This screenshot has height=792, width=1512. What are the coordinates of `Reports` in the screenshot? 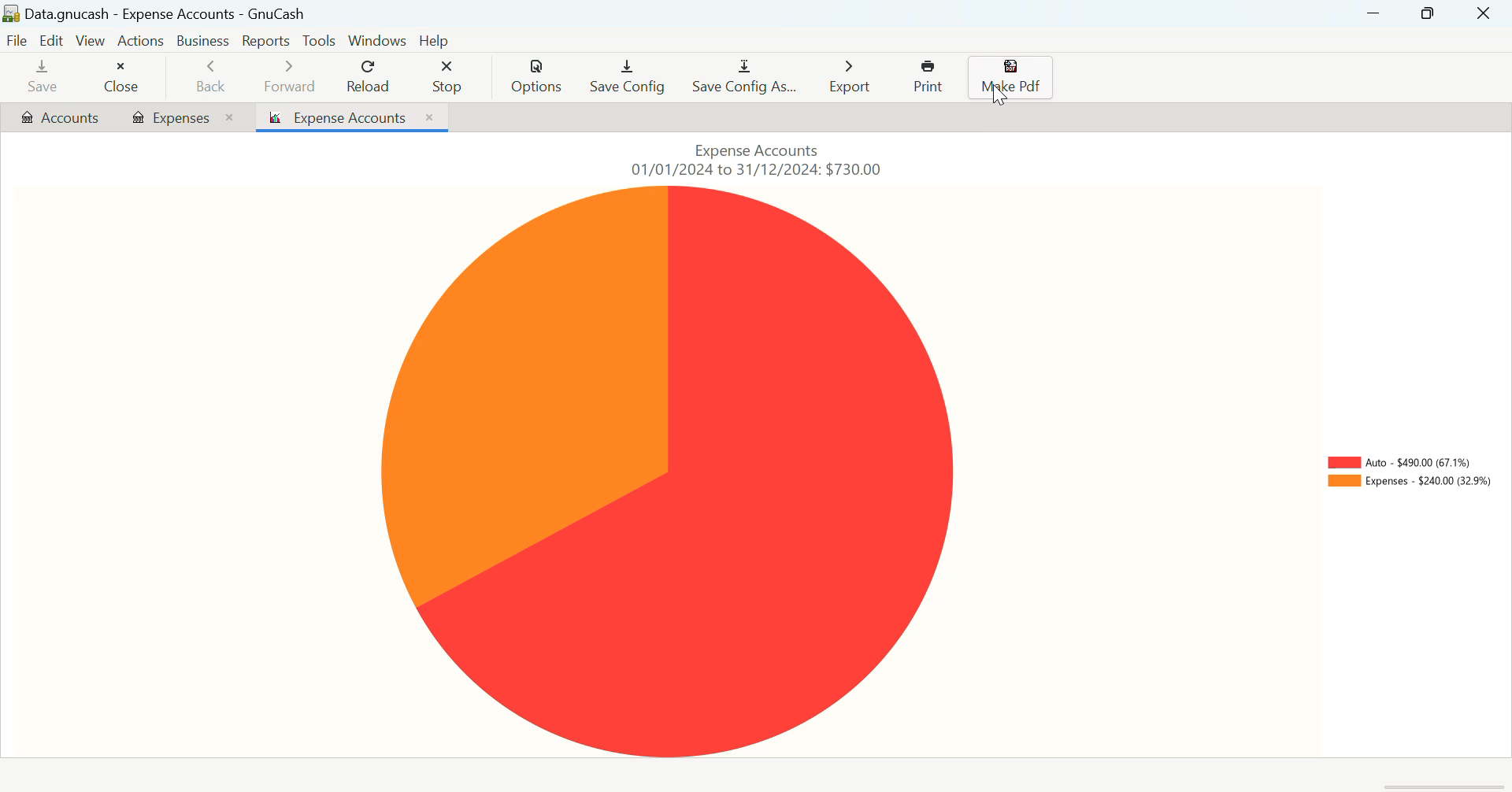 It's located at (265, 40).